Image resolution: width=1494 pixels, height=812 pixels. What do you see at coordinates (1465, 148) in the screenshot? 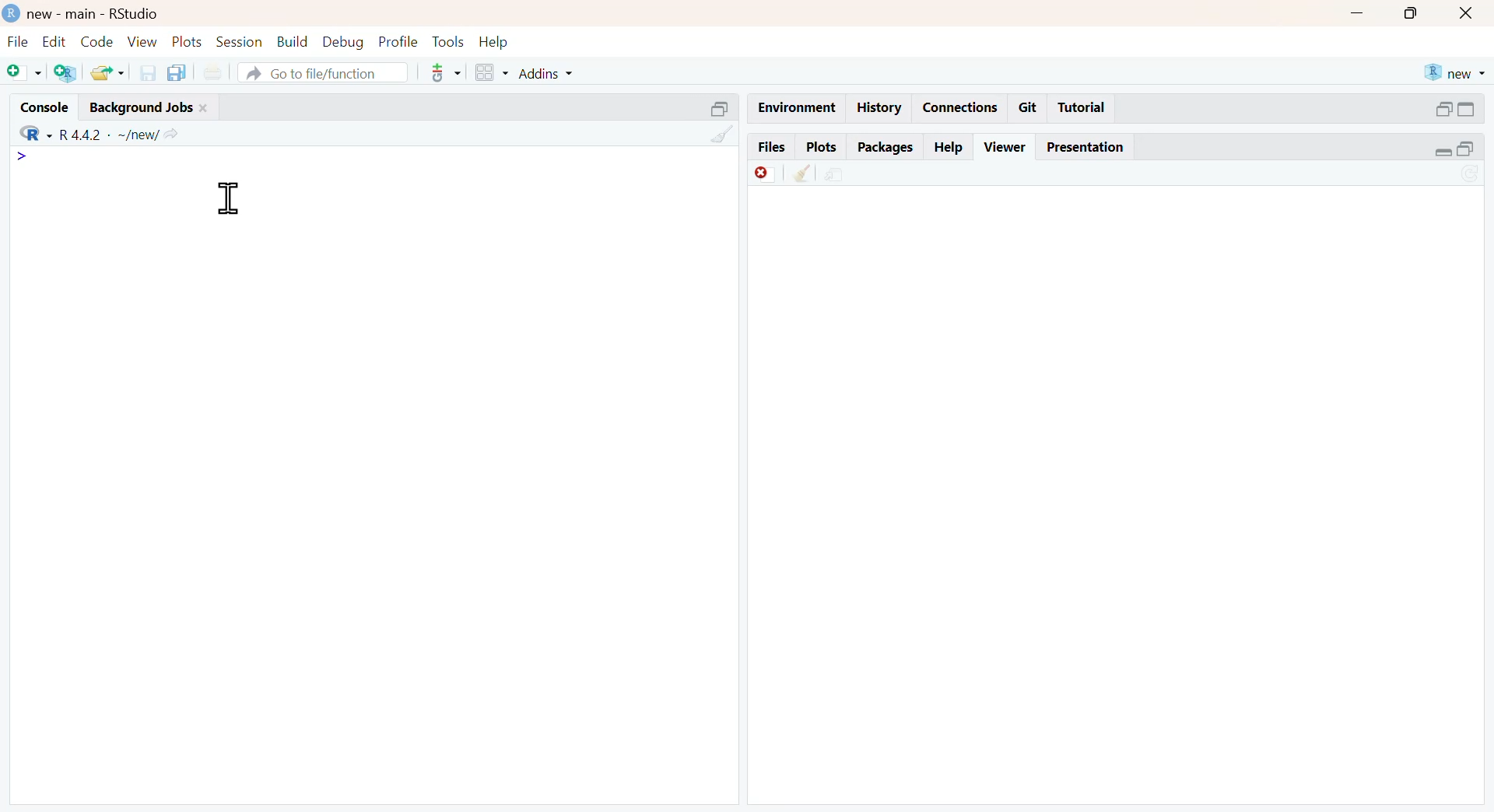
I see `open in separate window` at bounding box center [1465, 148].